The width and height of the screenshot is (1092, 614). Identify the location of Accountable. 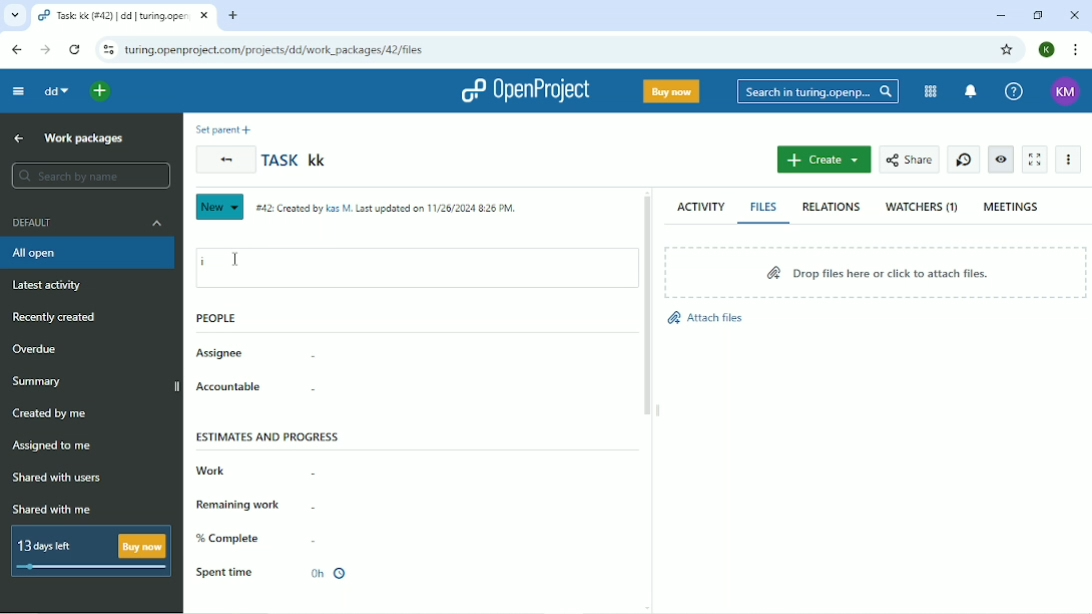
(257, 389).